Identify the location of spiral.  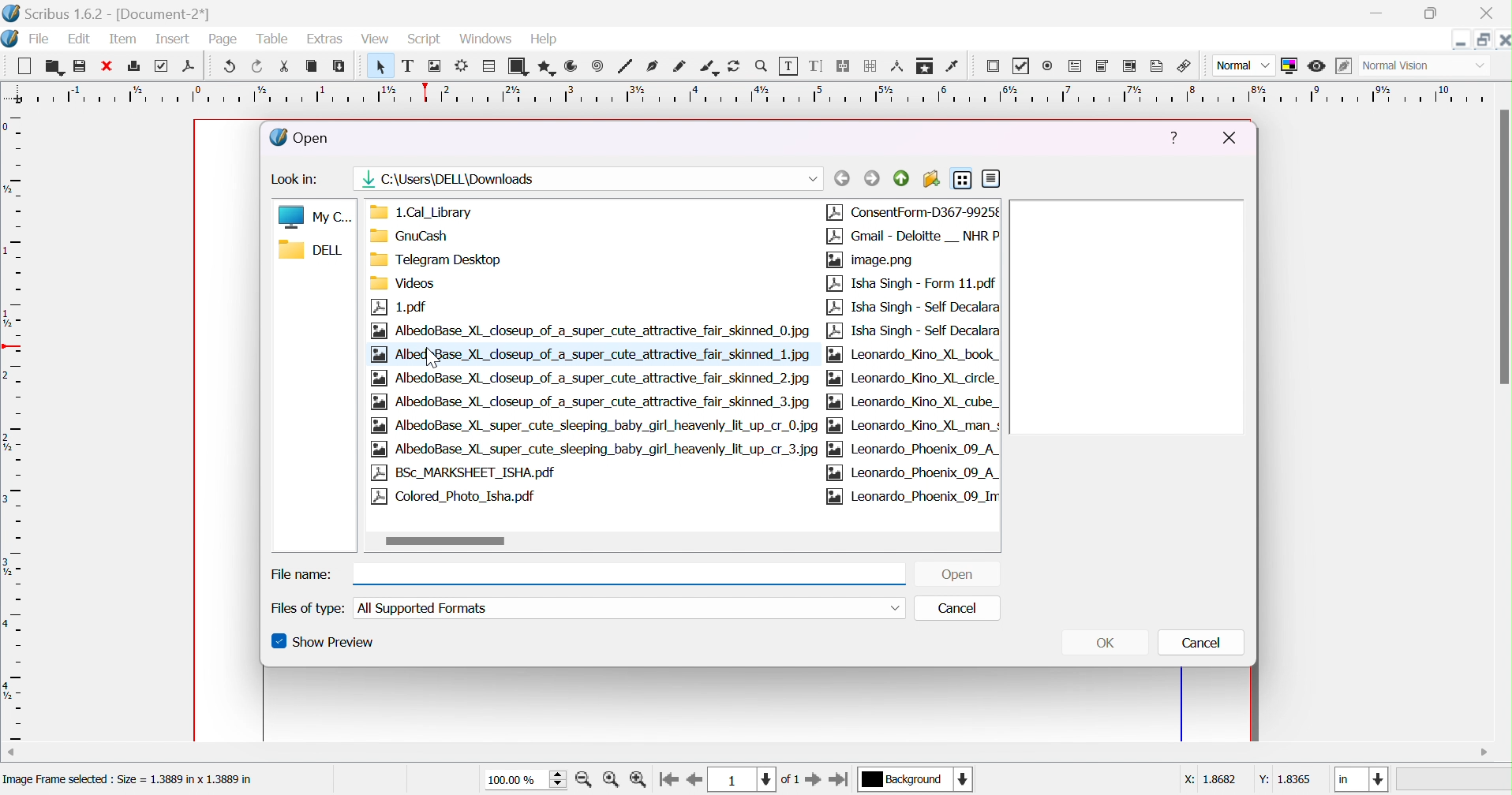
(597, 65).